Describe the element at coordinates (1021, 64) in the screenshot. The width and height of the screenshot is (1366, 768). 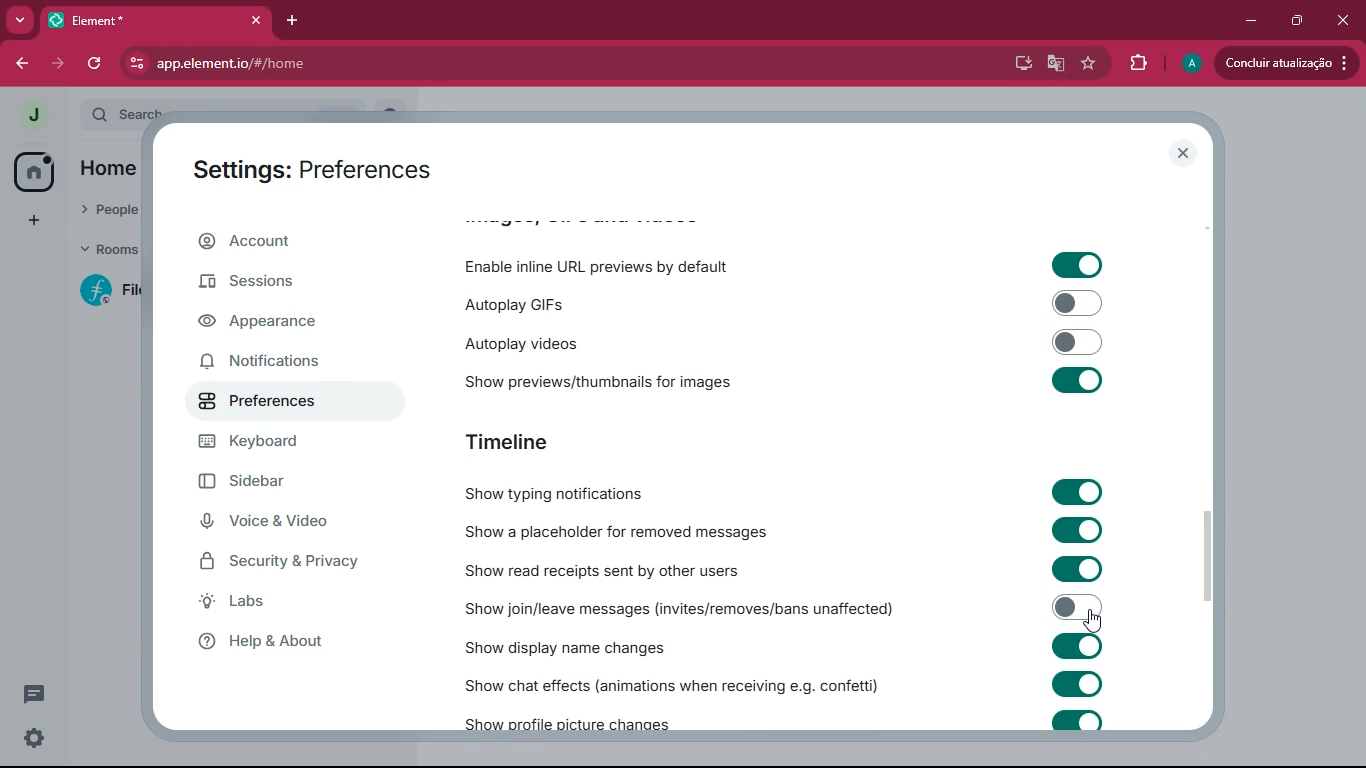
I see `desktop` at that location.